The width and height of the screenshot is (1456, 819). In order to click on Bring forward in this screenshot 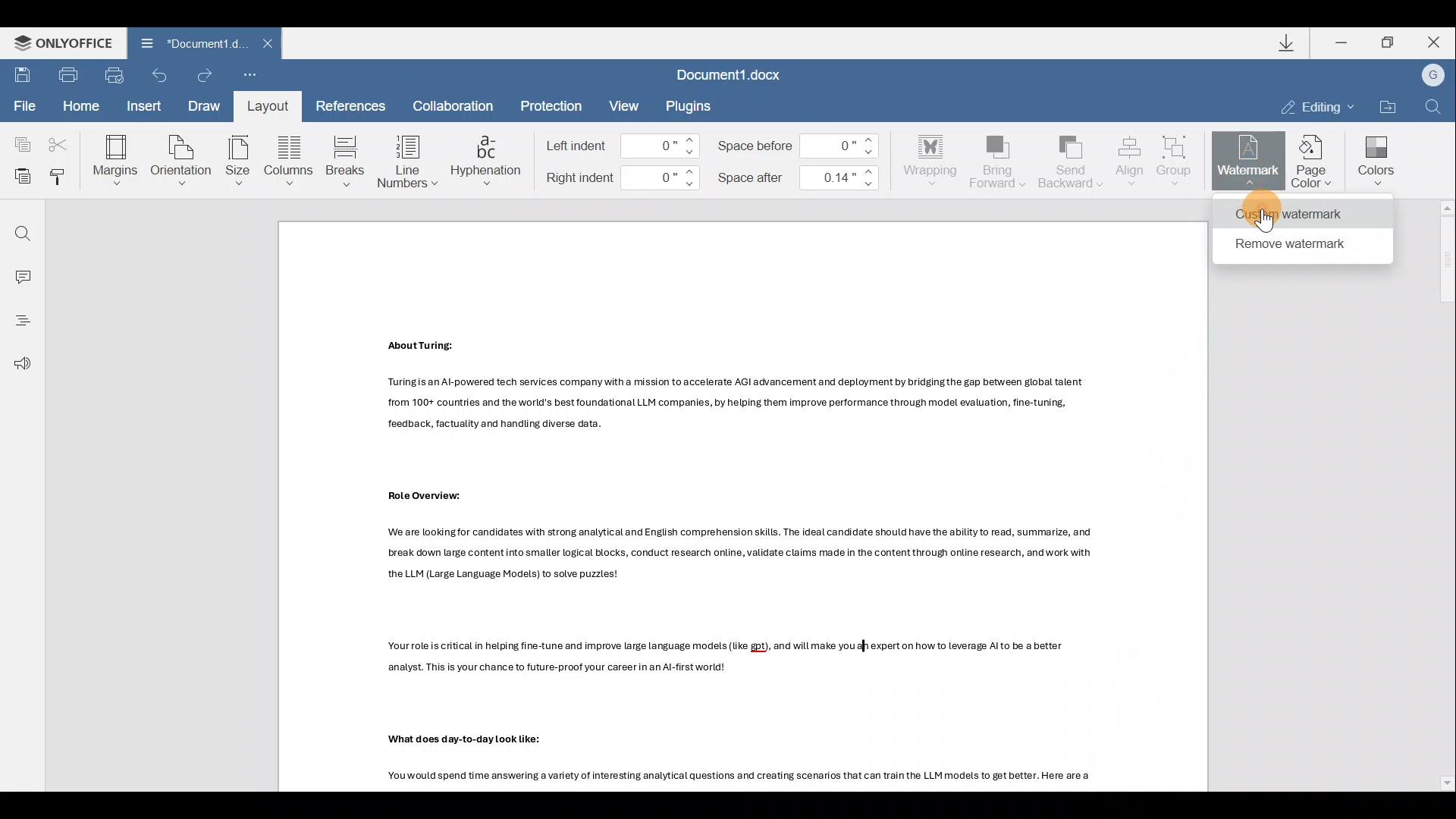, I will do `click(999, 164)`.